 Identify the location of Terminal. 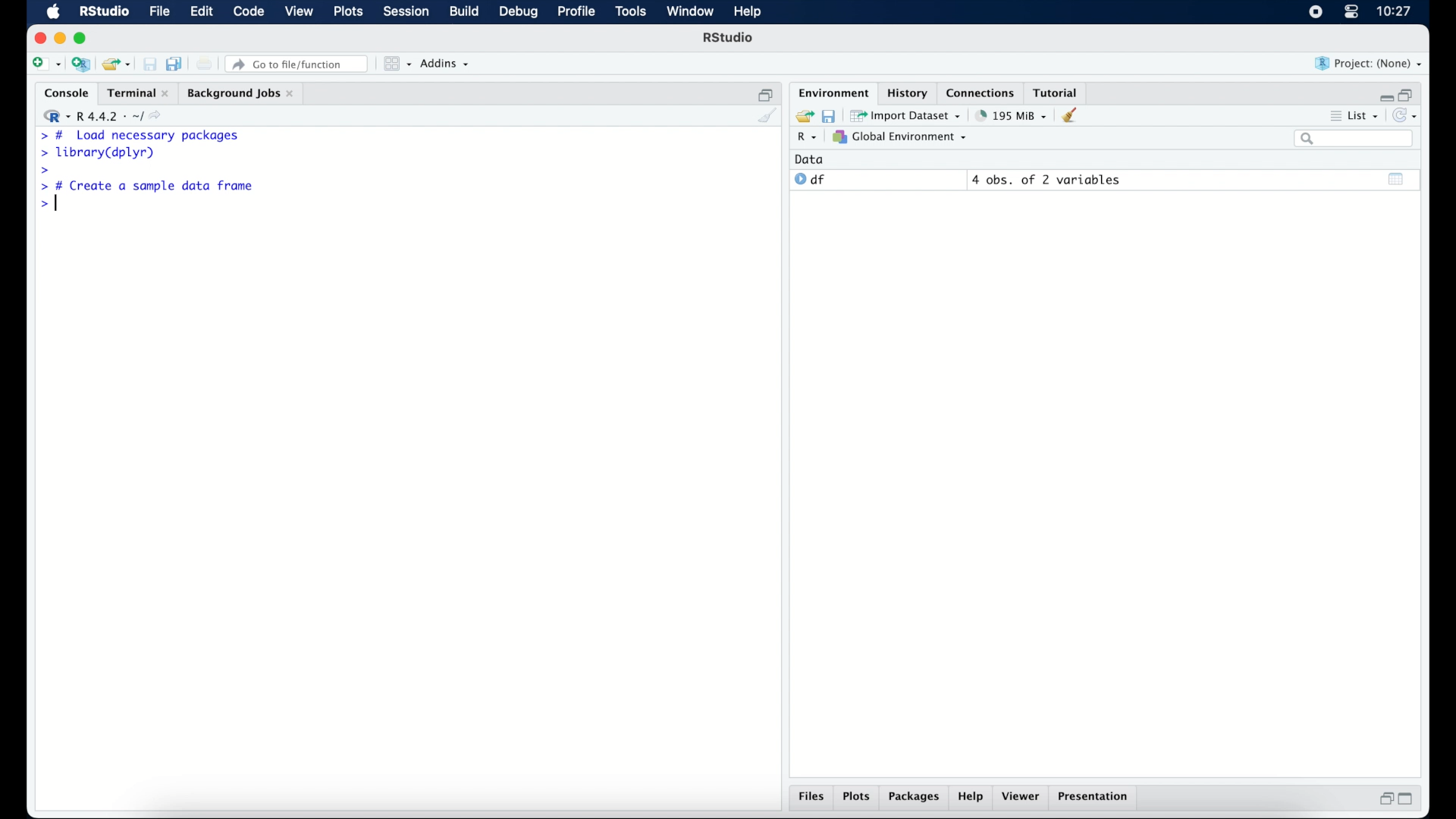
(133, 93).